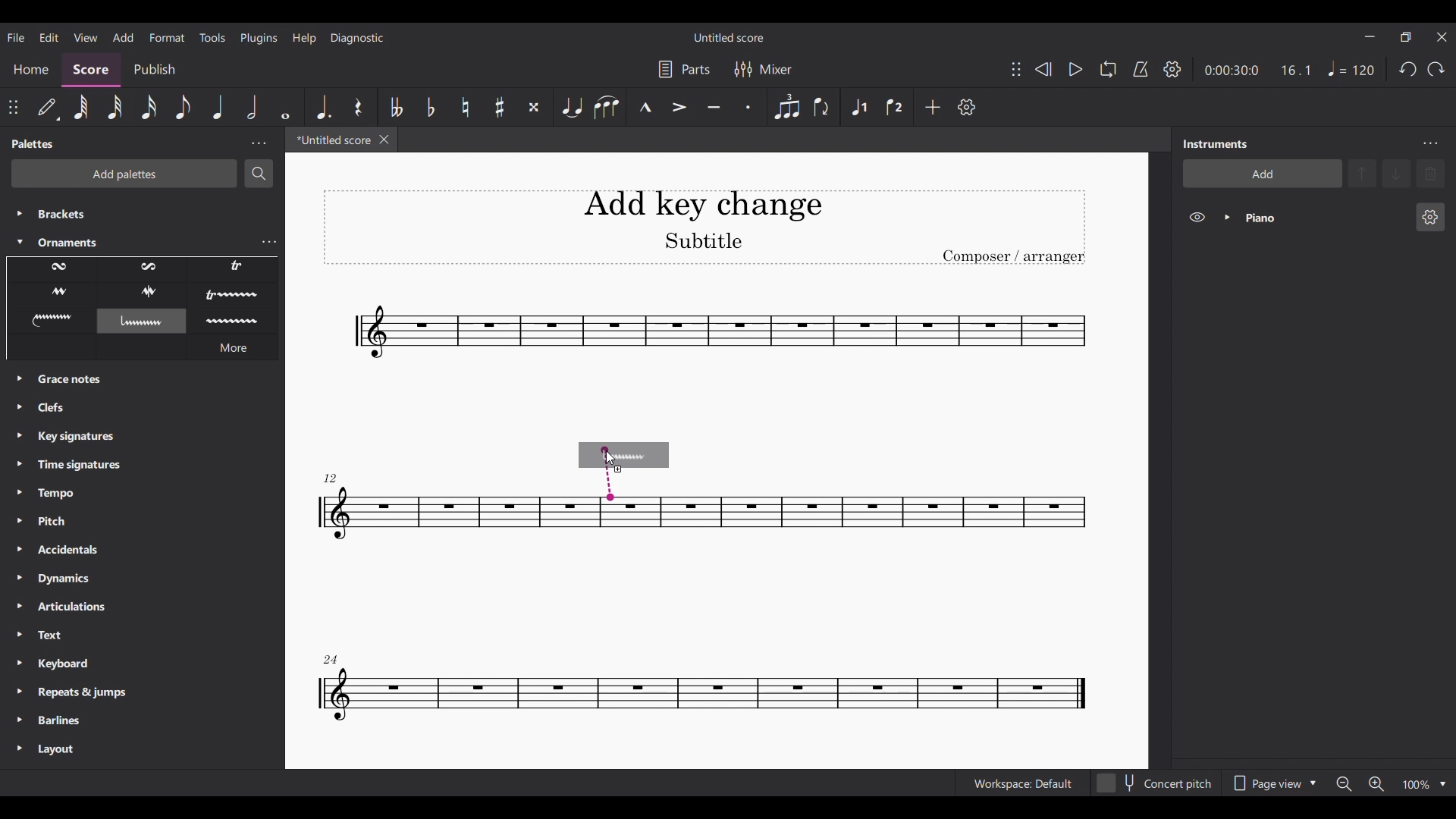 The width and height of the screenshot is (1456, 819). I want to click on Toggle for Concert pitch, so click(1156, 783).